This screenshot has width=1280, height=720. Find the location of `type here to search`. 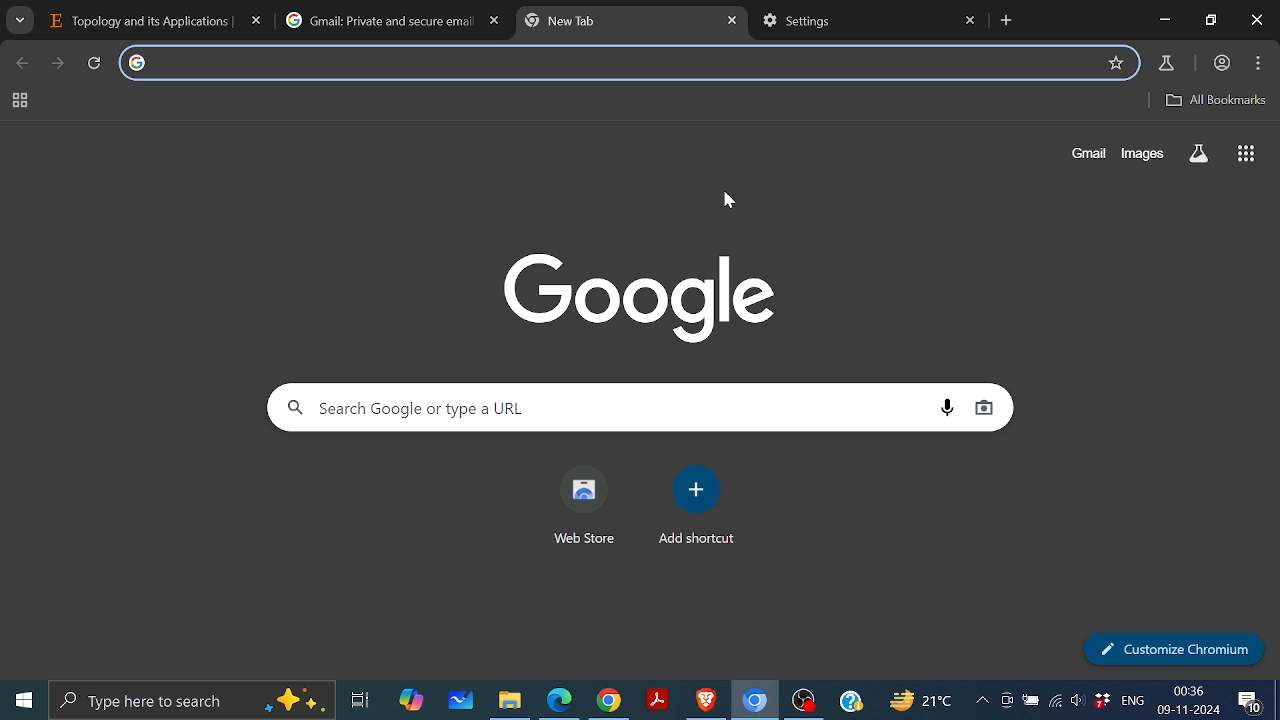

type here to search is located at coordinates (191, 700).